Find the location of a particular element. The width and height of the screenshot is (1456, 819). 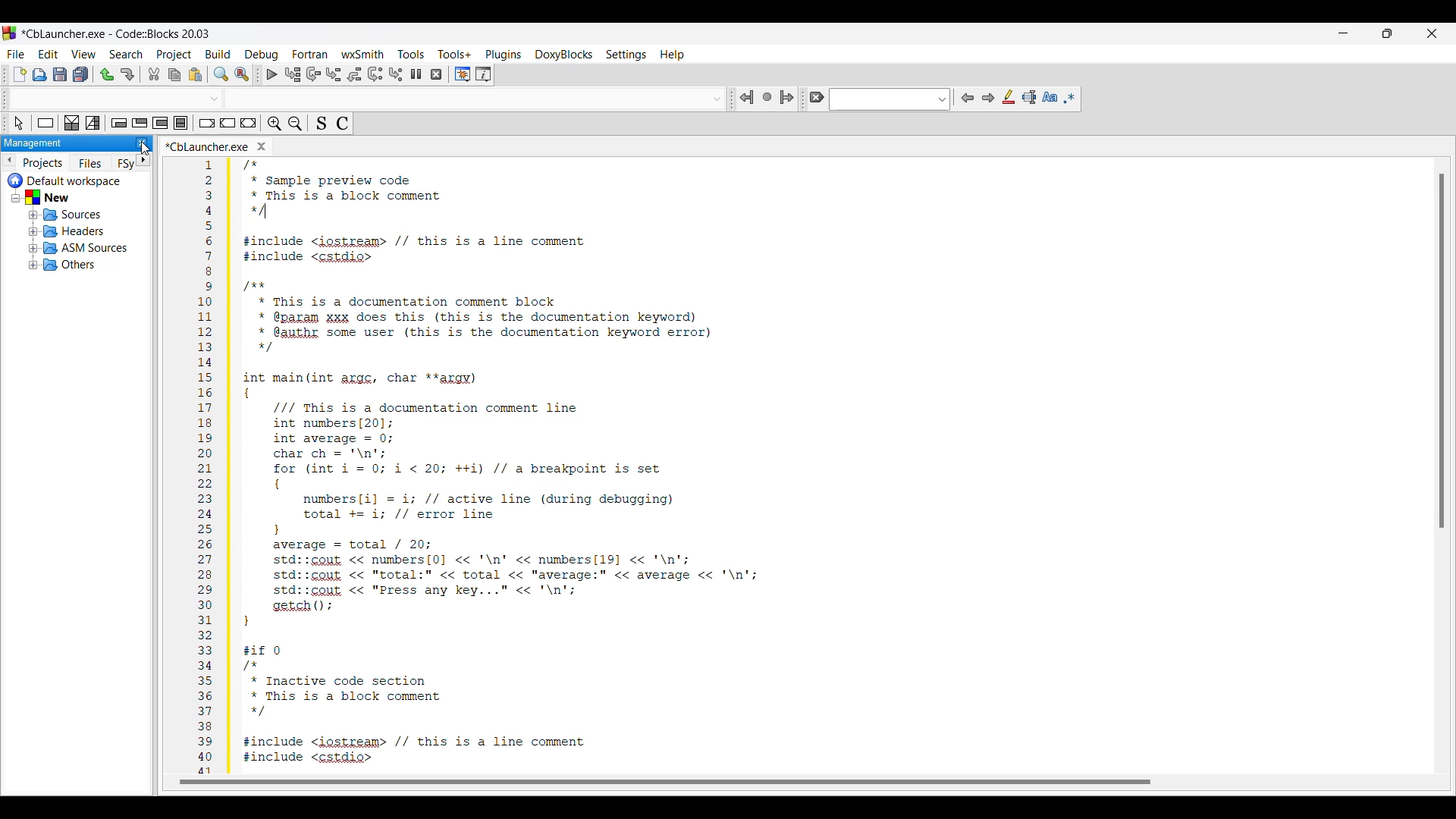

Decision is located at coordinates (72, 123).